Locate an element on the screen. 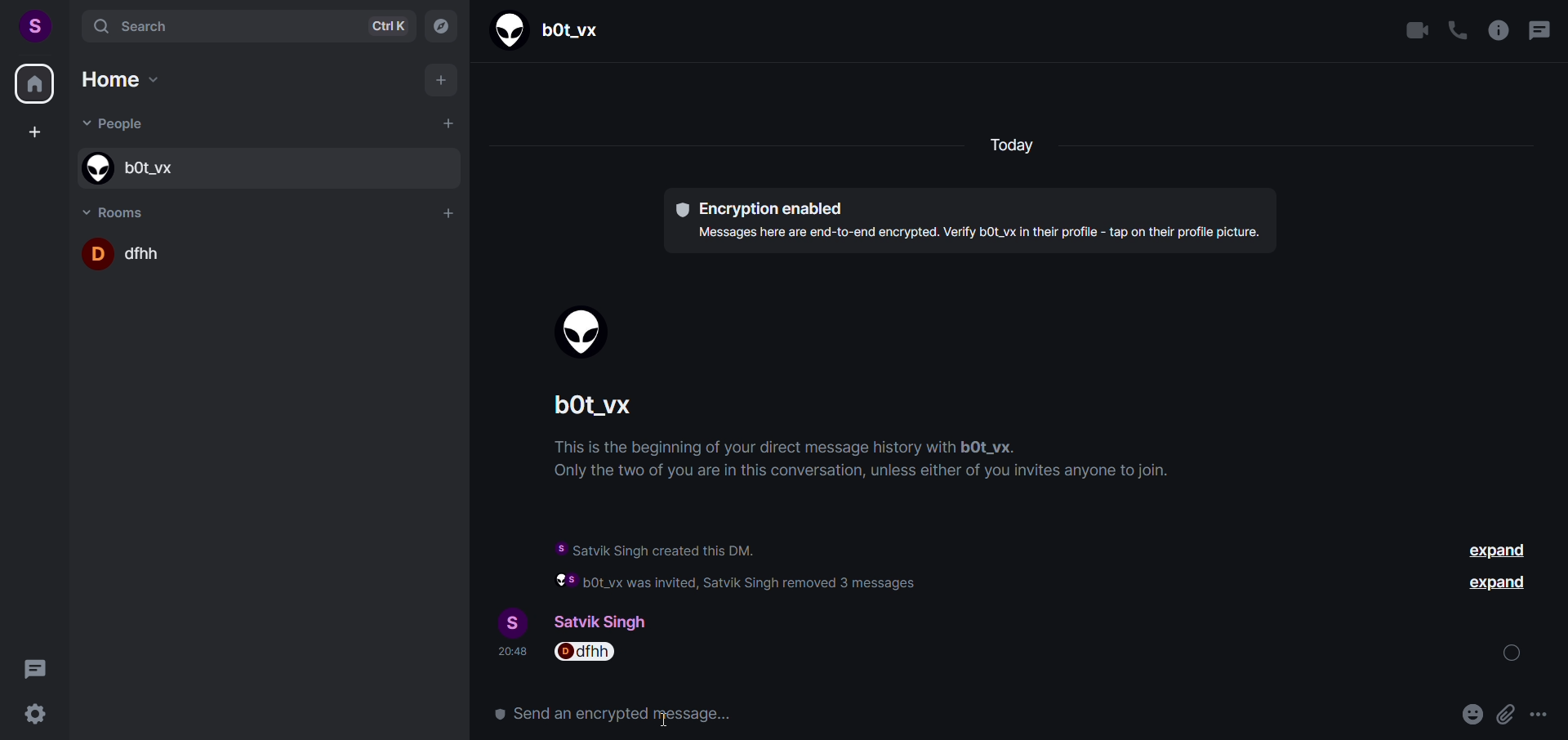 The height and width of the screenshot is (740, 1568). options is located at coordinates (1502, 715).